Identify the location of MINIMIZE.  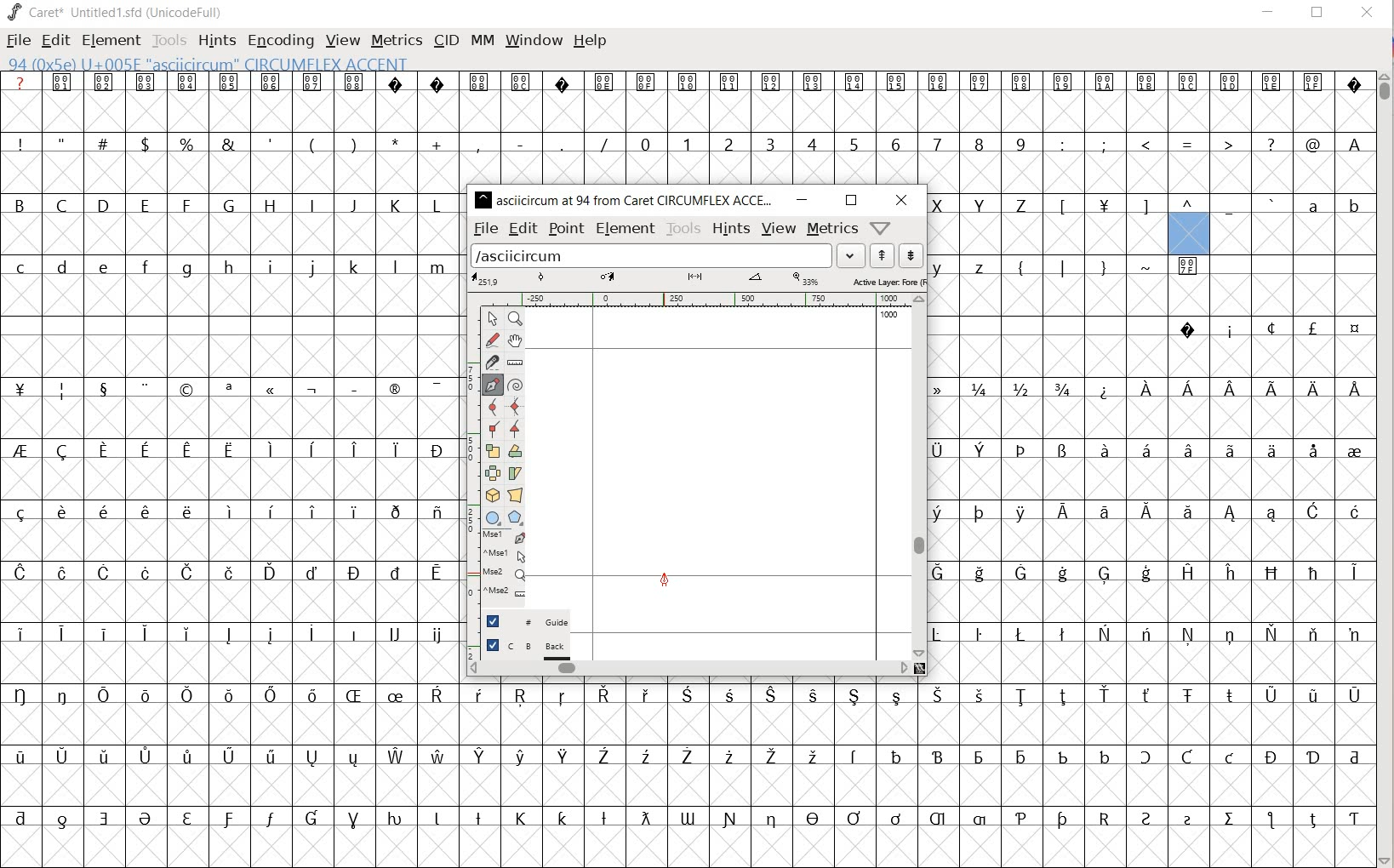
(1269, 11).